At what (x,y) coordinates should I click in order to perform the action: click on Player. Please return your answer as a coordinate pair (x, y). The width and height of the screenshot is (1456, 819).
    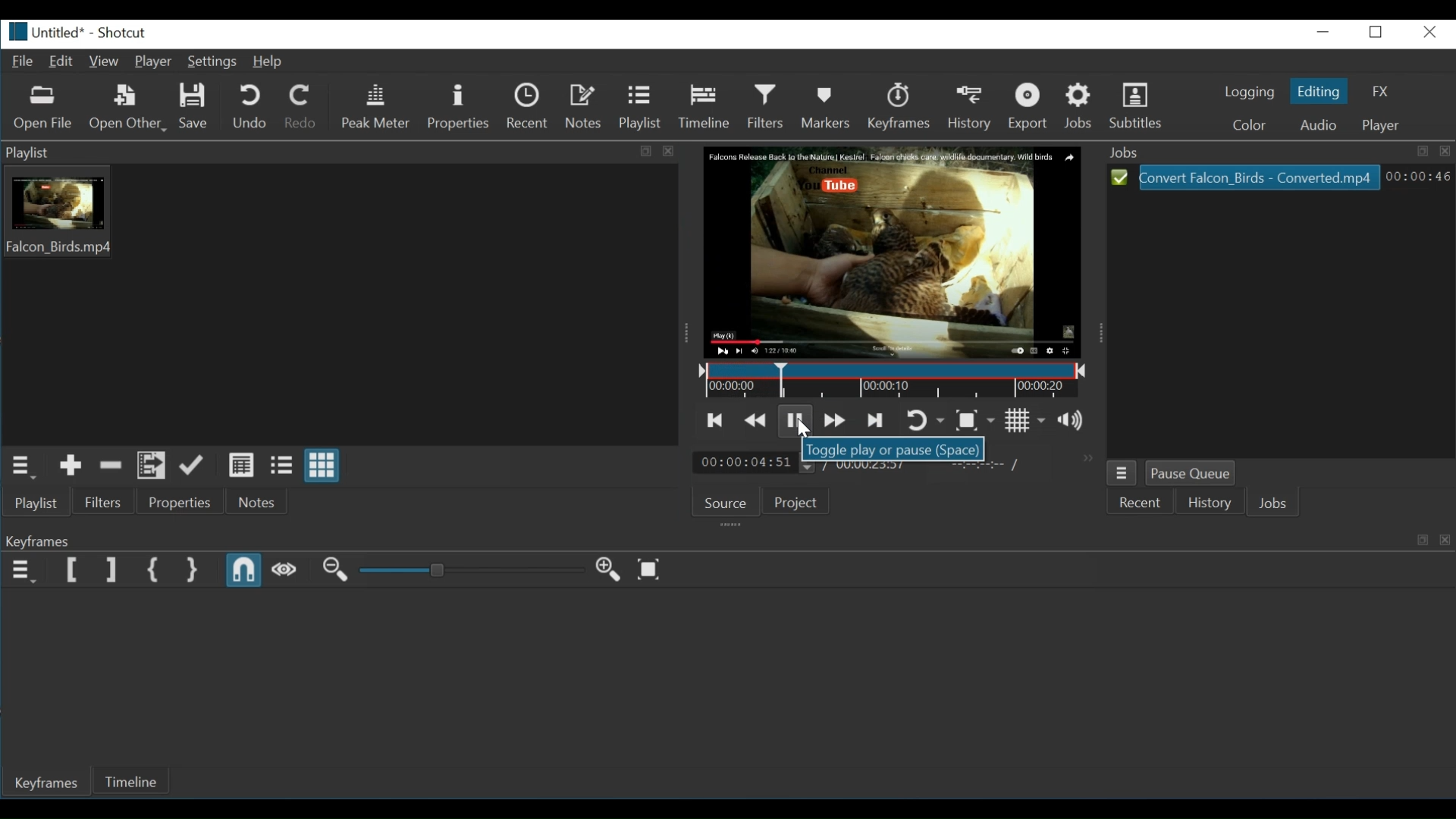
    Looking at the image, I should click on (152, 61).